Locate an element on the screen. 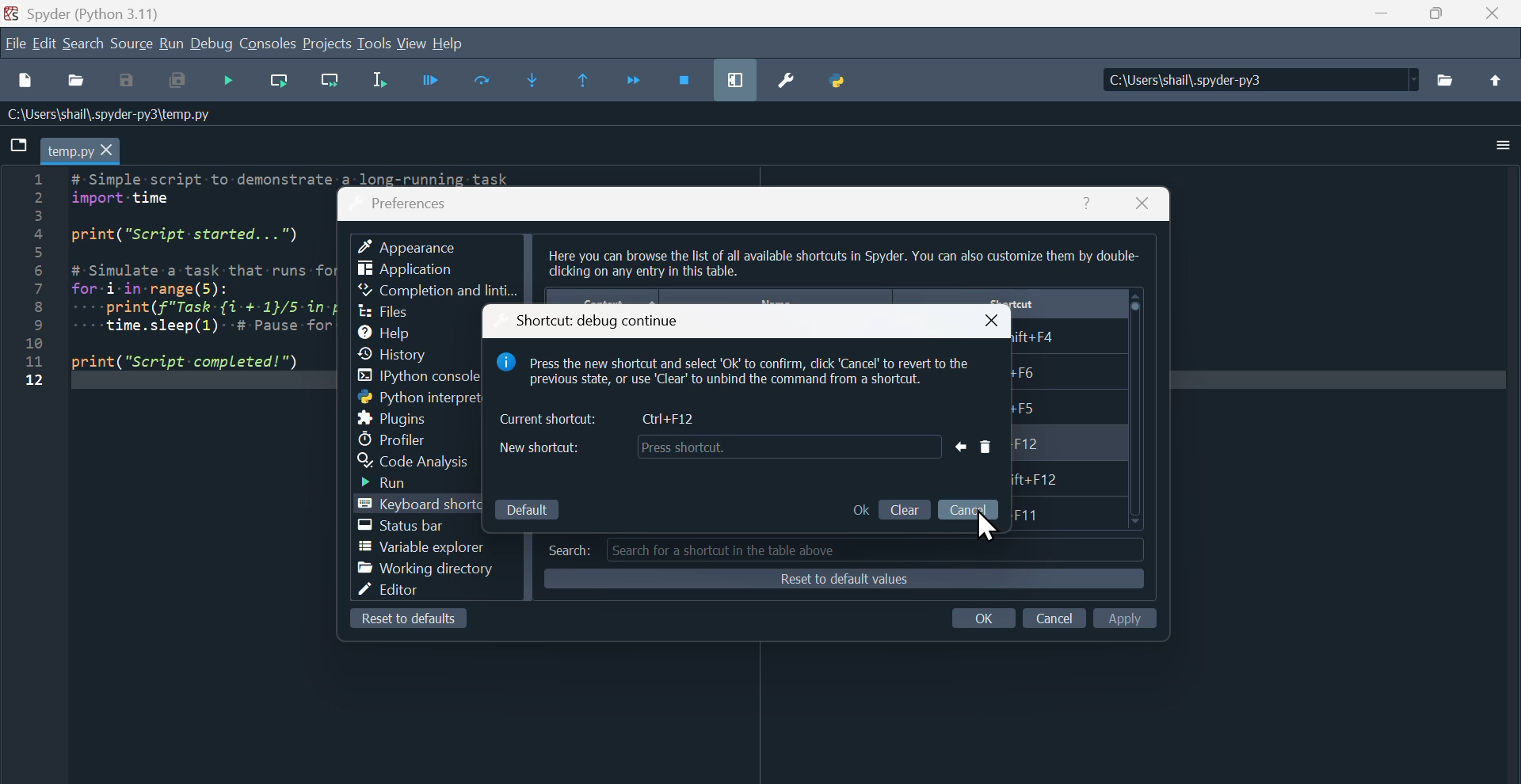 This screenshot has width=1521, height=784. Code analysis is located at coordinates (407, 462).